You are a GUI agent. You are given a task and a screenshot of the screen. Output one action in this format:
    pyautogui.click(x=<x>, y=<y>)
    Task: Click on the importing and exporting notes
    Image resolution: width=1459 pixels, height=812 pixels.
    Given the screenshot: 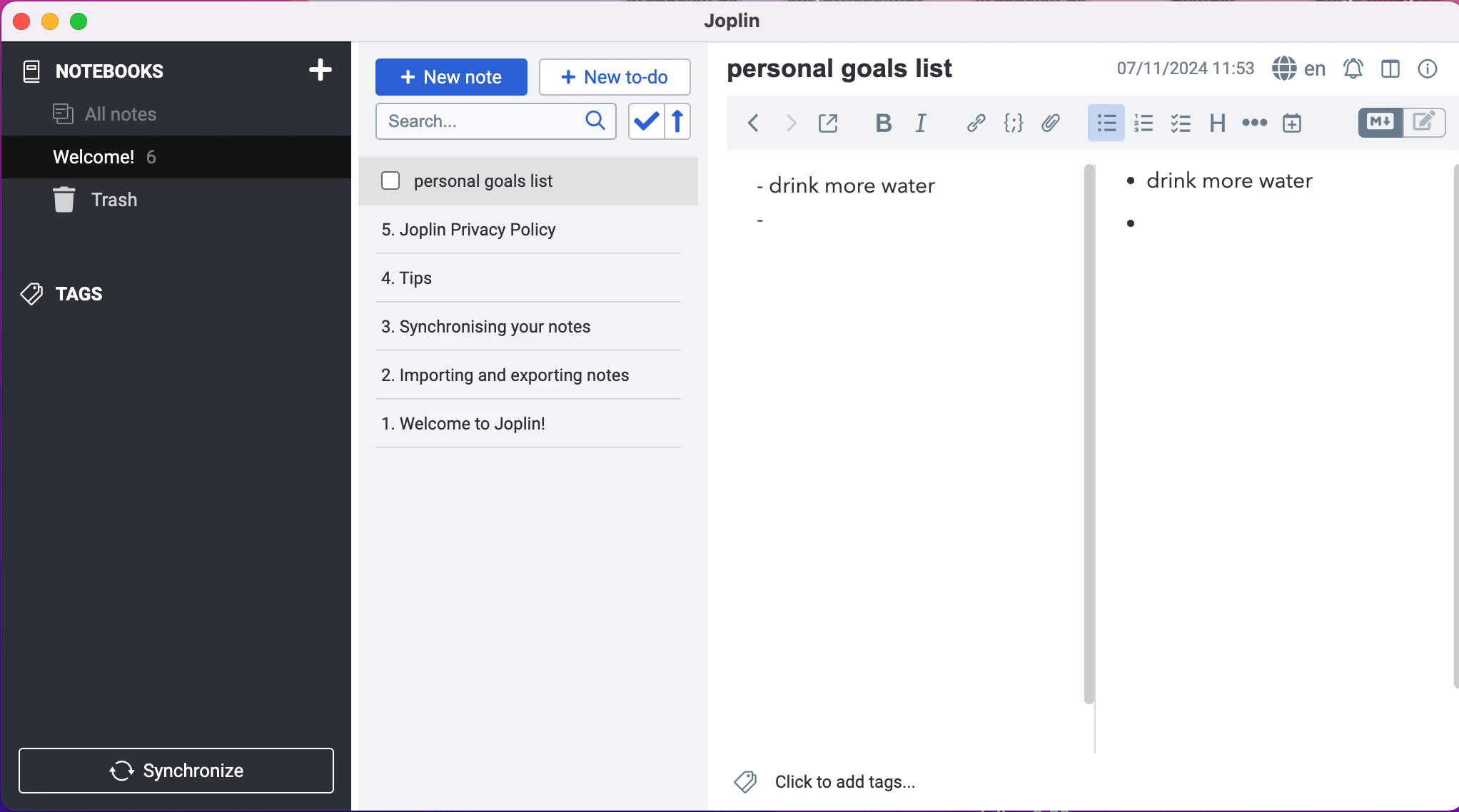 What is the action you would take?
    pyautogui.click(x=536, y=325)
    